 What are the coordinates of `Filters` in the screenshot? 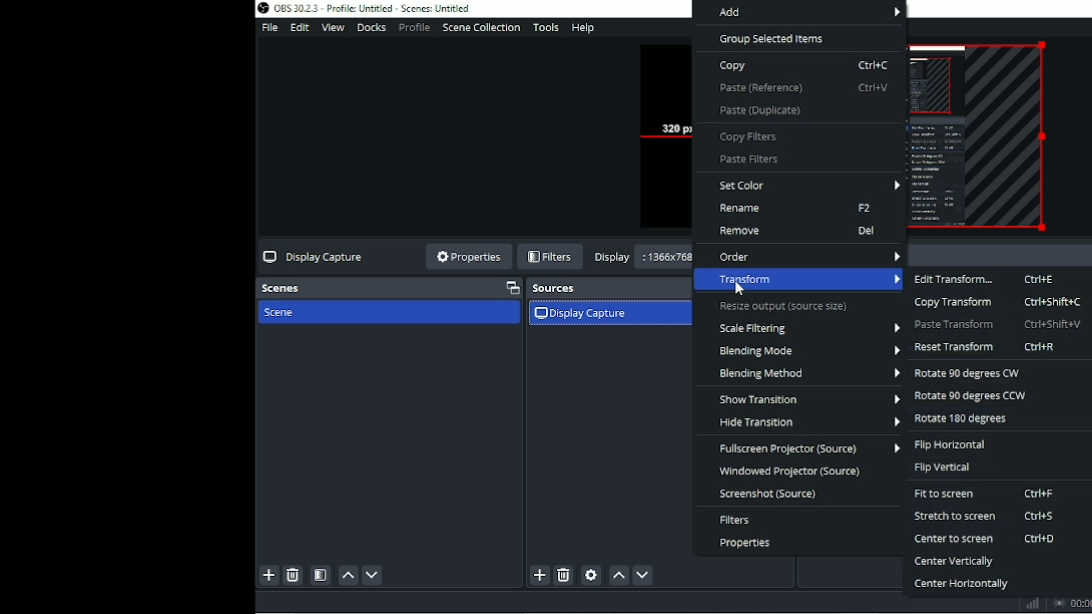 It's located at (550, 257).